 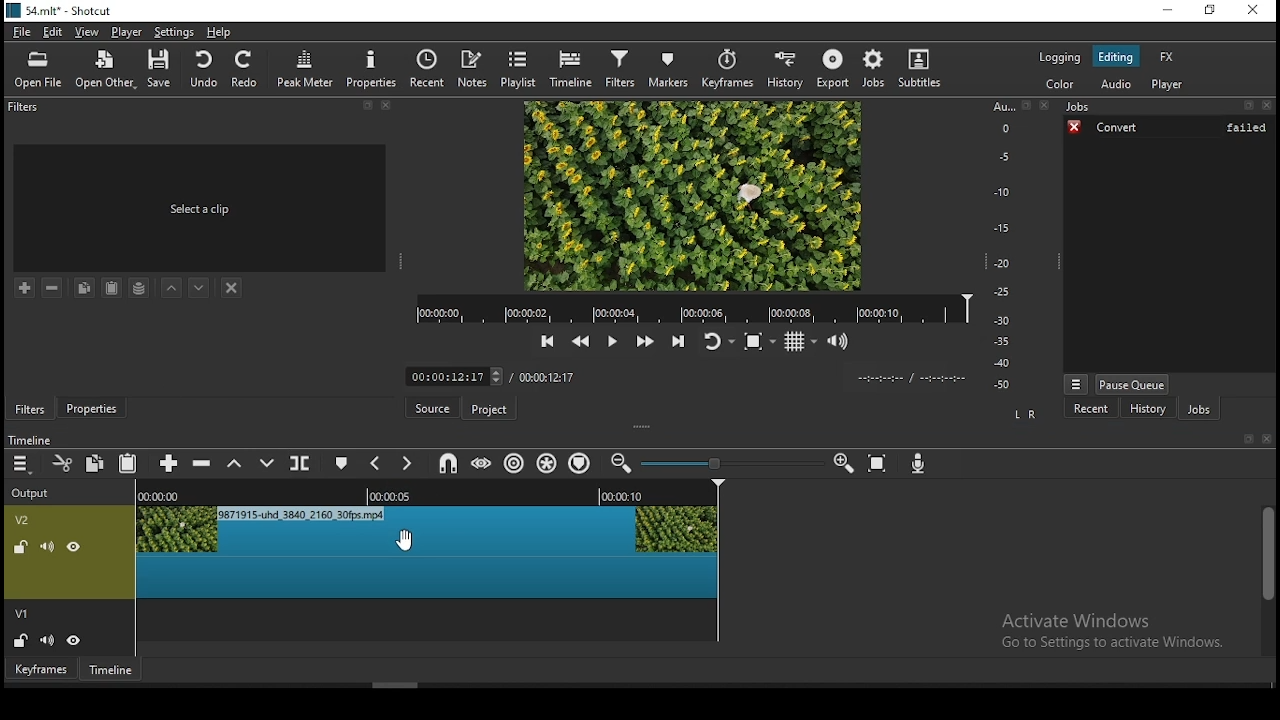 What do you see at coordinates (75, 548) in the screenshot?
I see `view/hide` at bounding box center [75, 548].